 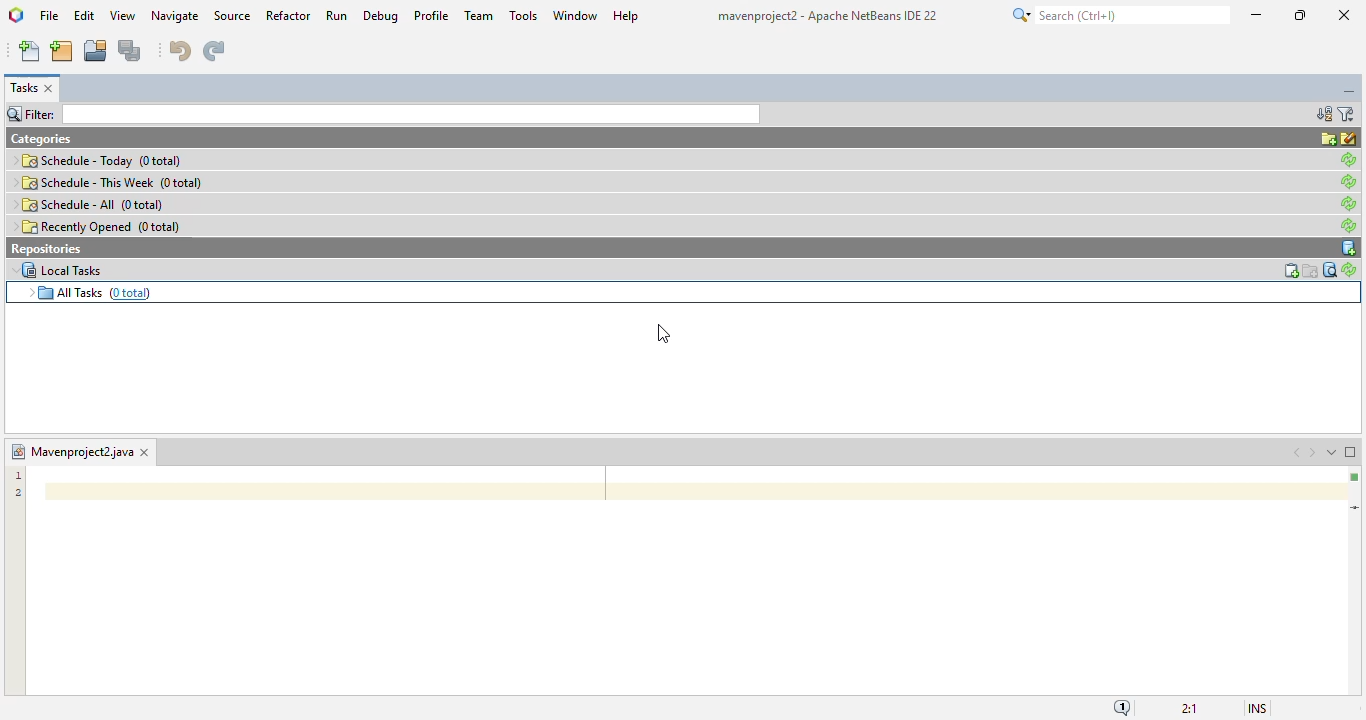 What do you see at coordinates (232, 16) in the screenshot?
I see `source` at bounding box center [232, 16].